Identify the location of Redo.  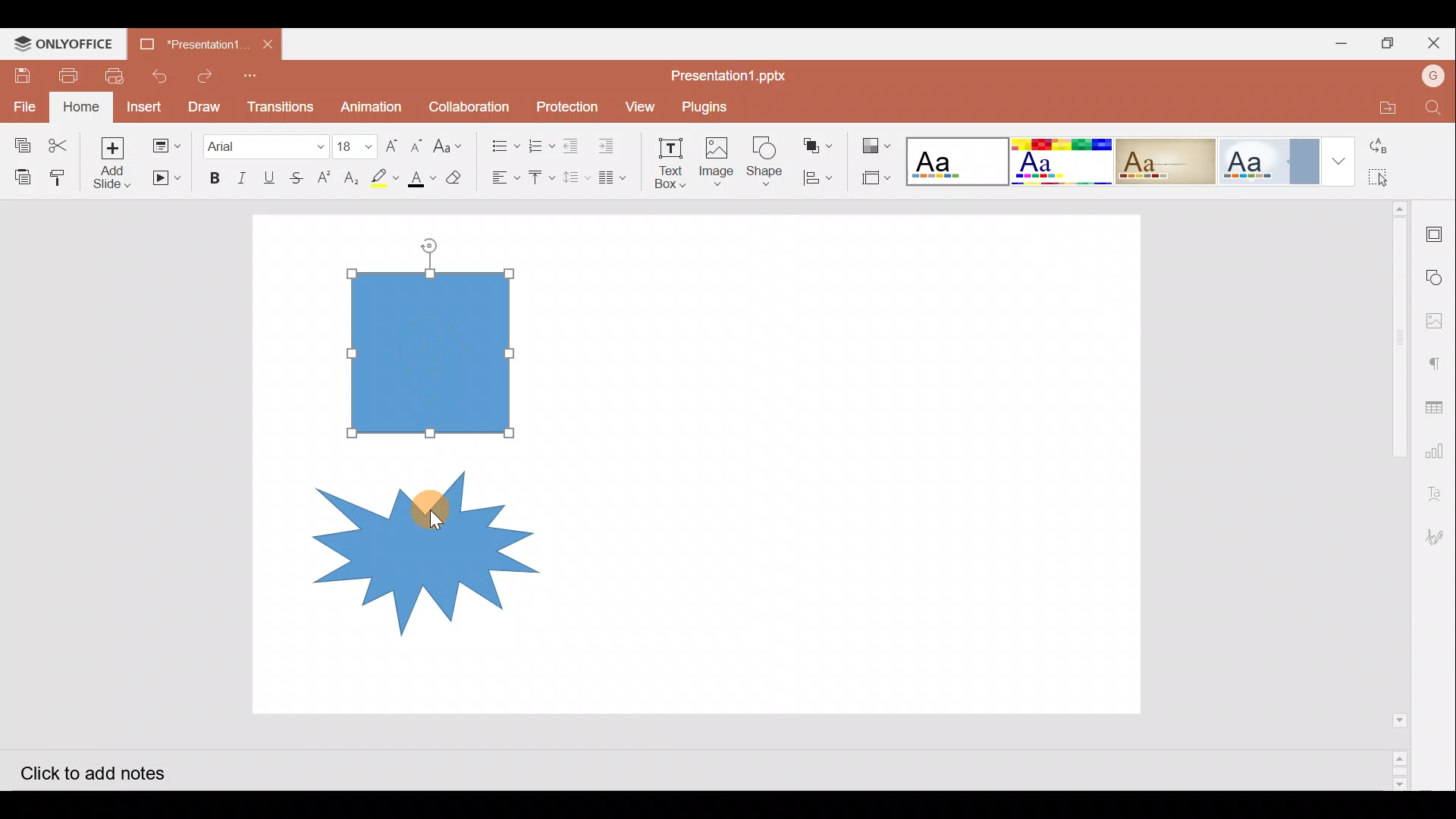
(203, 72).